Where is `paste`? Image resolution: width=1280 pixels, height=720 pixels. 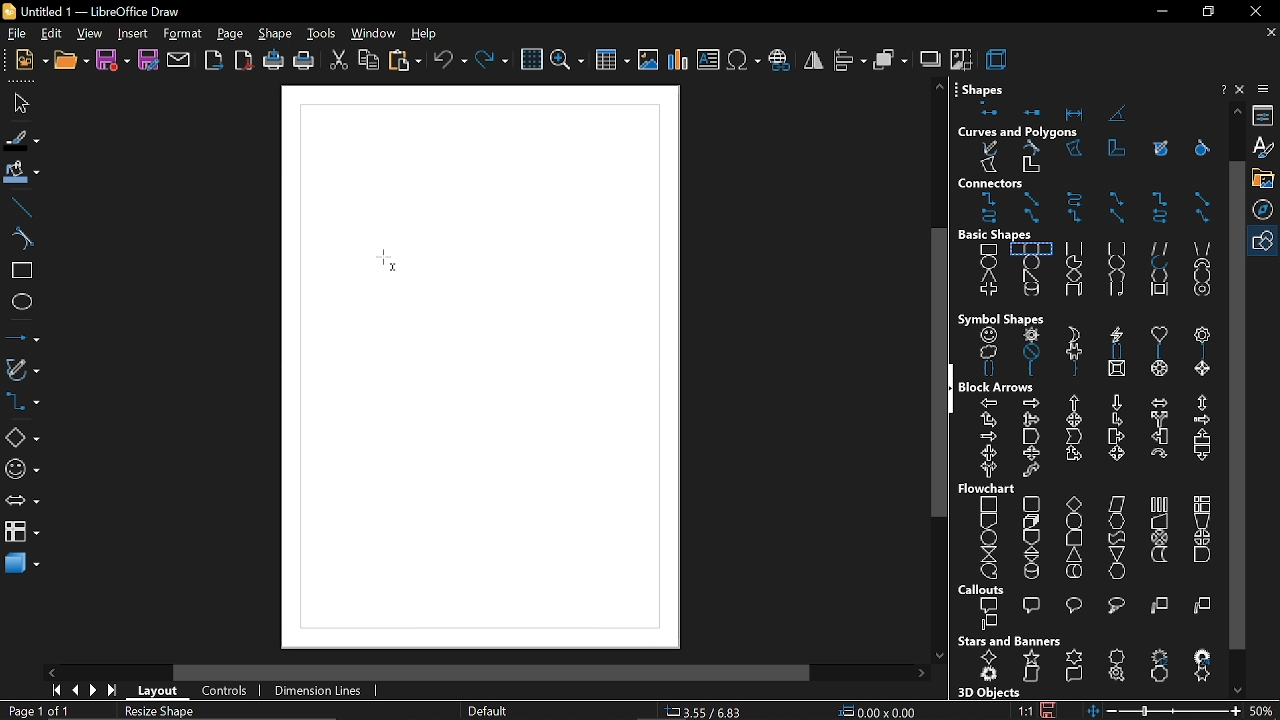 paste is located at coordinates (406, 62).